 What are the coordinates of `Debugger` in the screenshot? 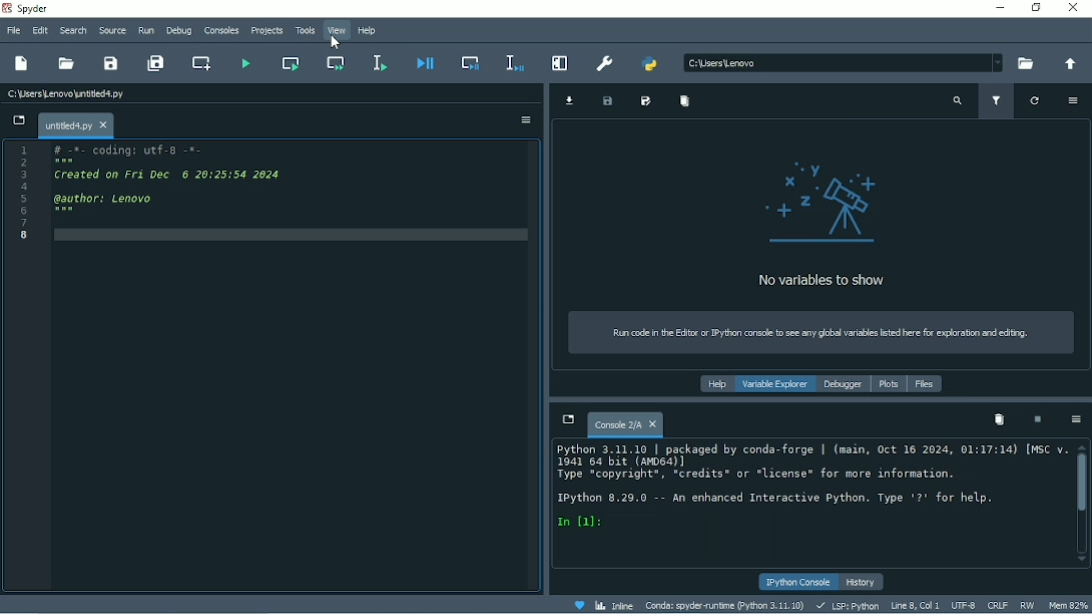 It's located at (843, 385).